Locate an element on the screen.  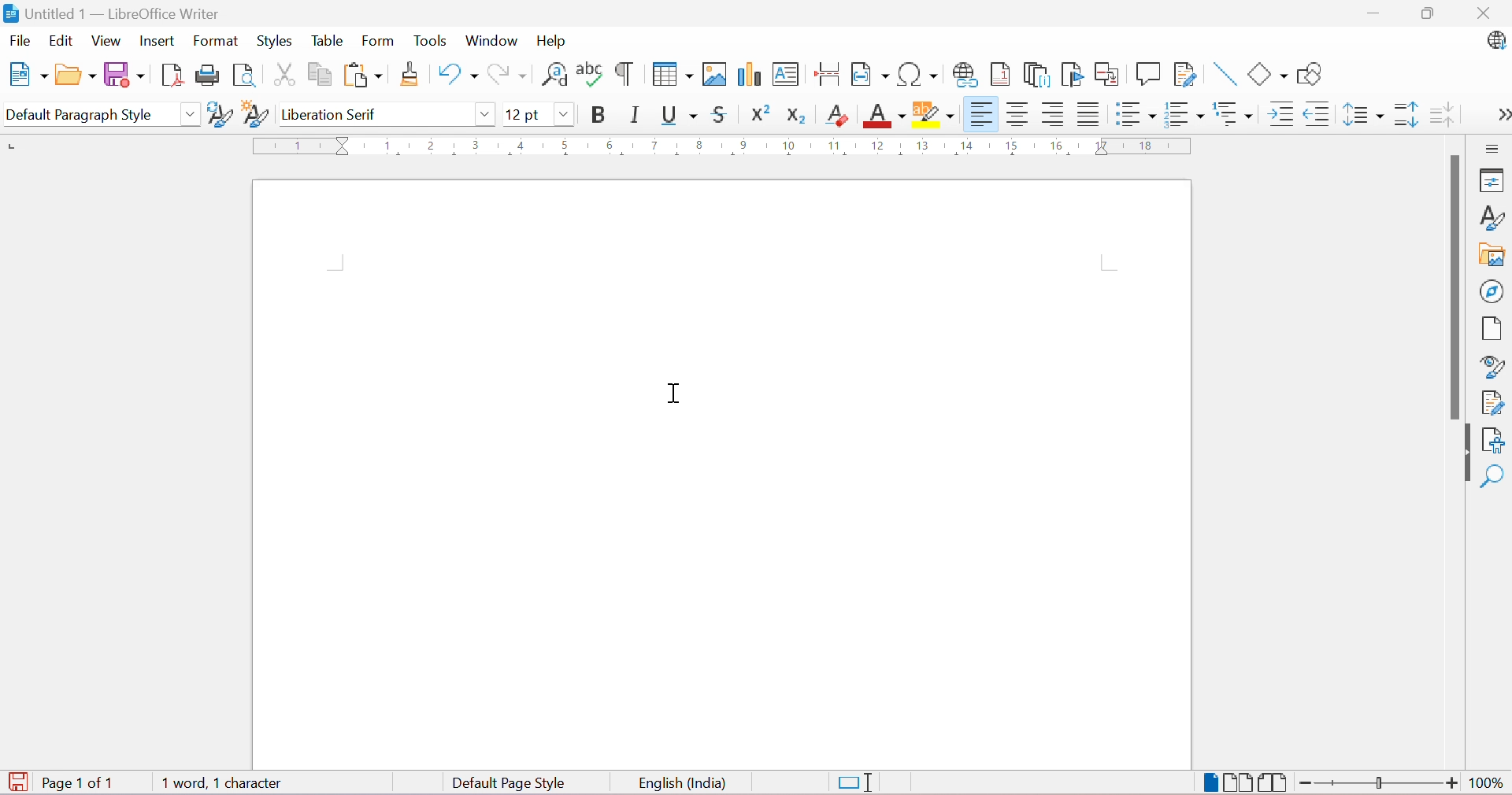
Toggle Formatting Marks is located at coordinates (624, 74).